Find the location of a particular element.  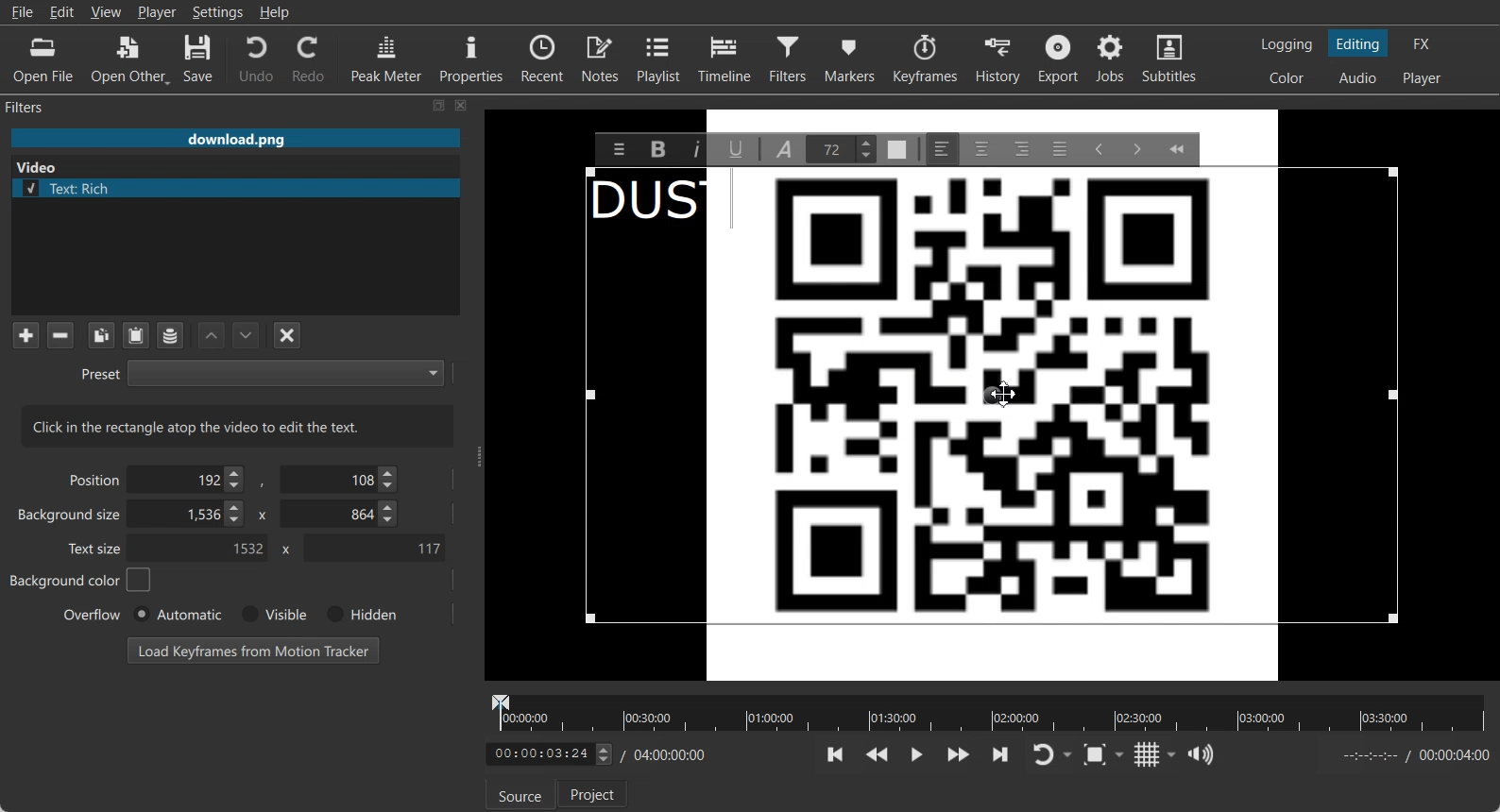

Close is located at coordinates (462, 105).